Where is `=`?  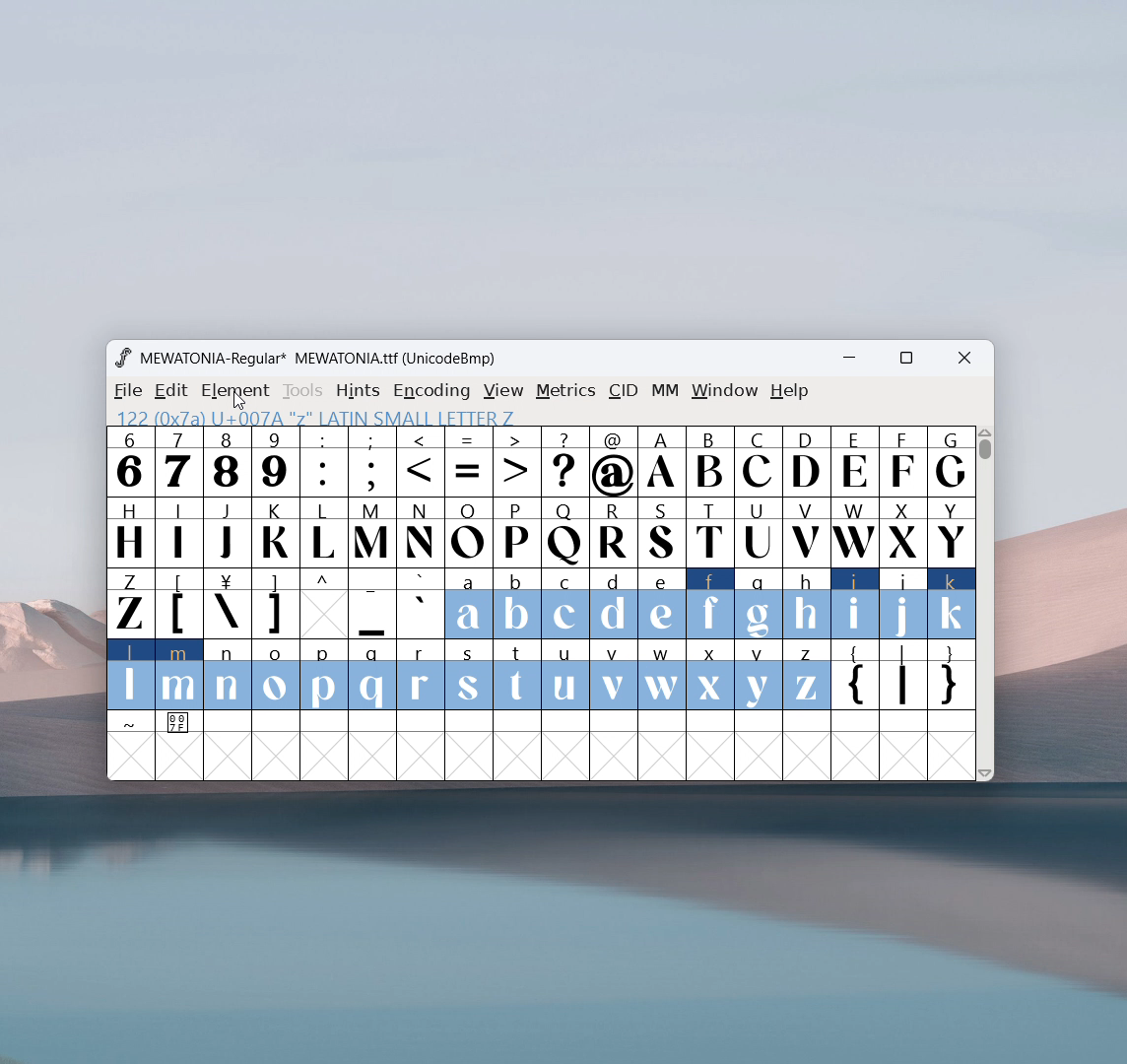
= is located at coordinates (469, 462).